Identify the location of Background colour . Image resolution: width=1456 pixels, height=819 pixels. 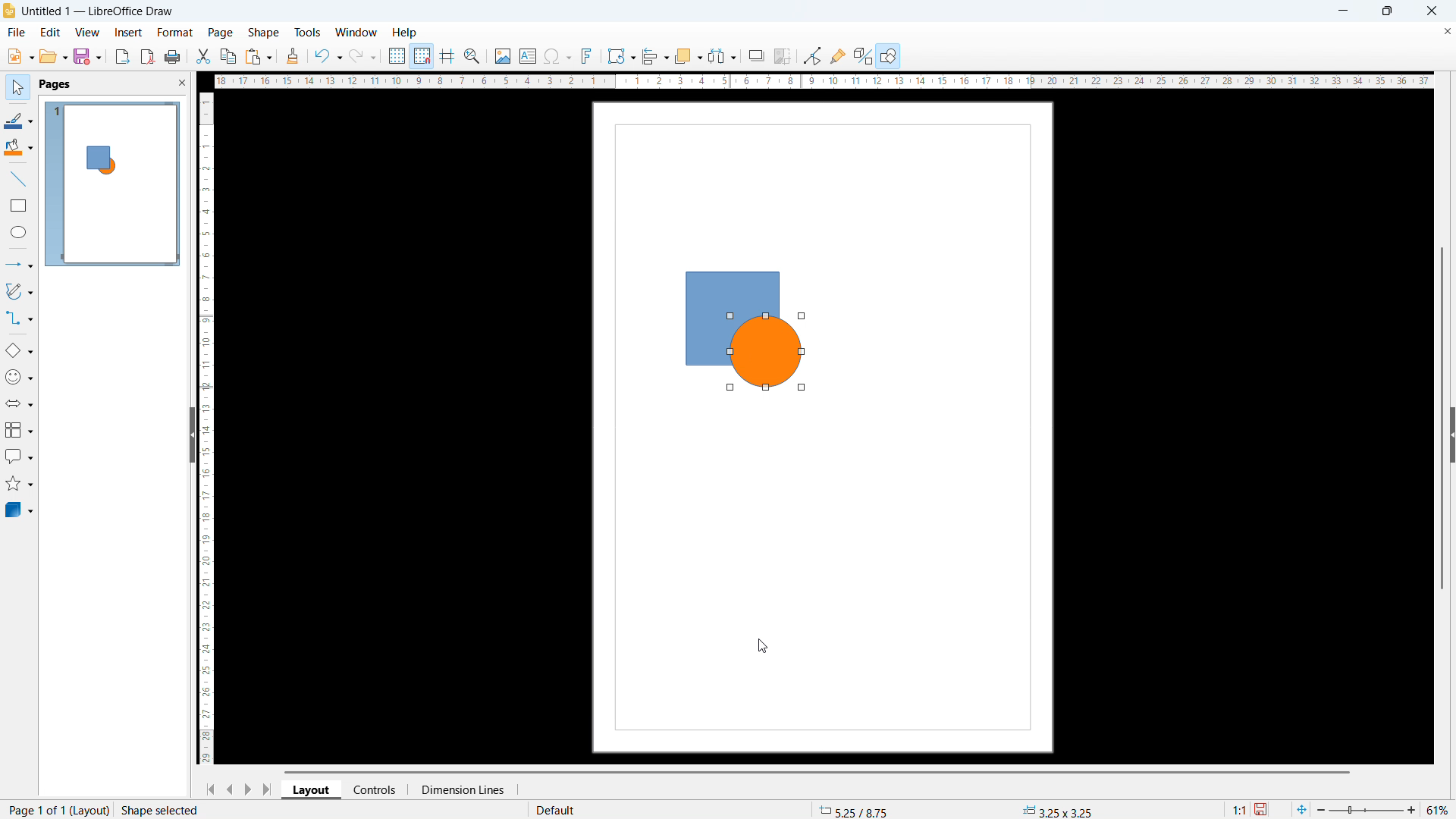
(19, 149).